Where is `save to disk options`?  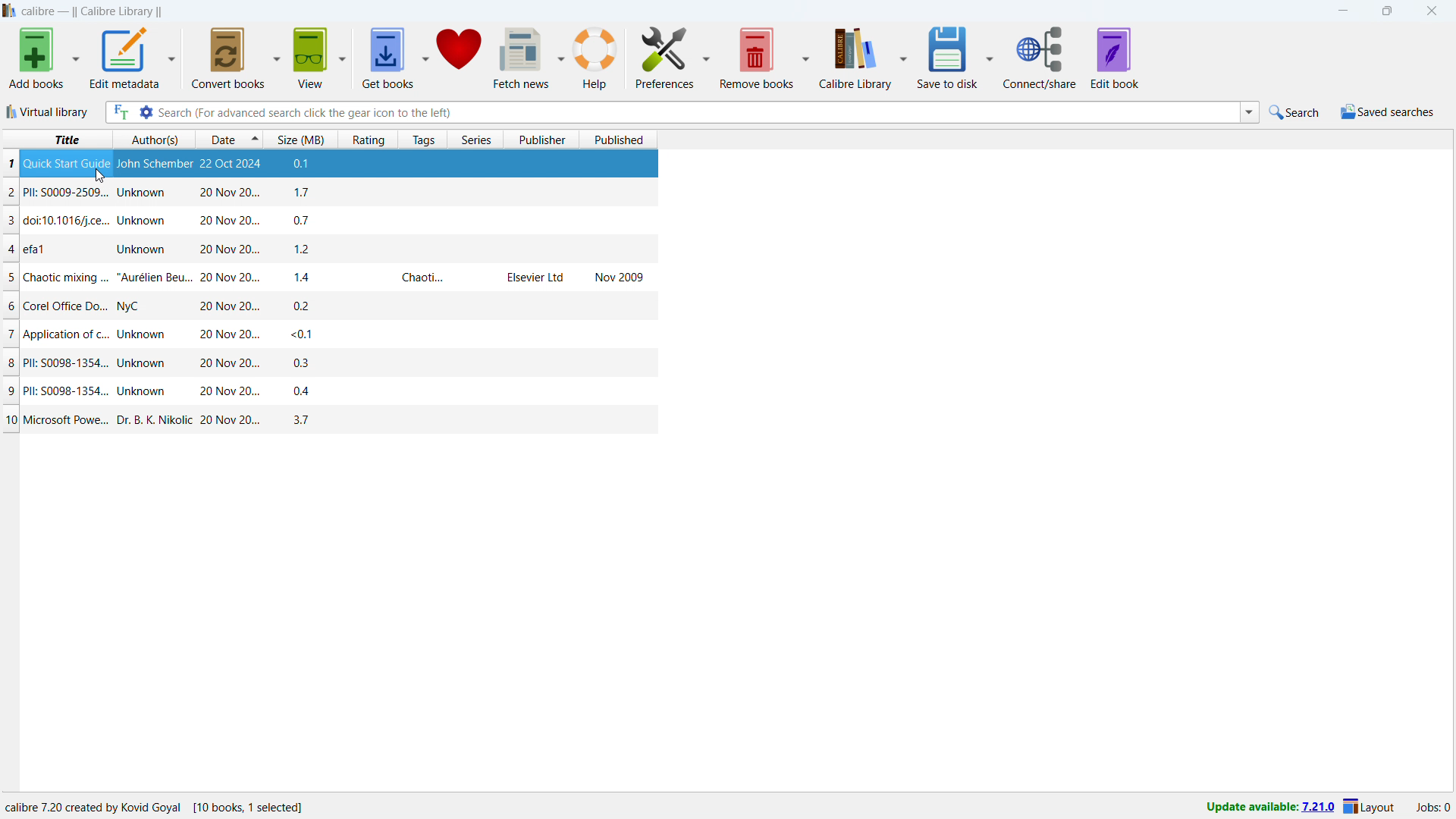 save to disk options is located at coordinates (989, 55).